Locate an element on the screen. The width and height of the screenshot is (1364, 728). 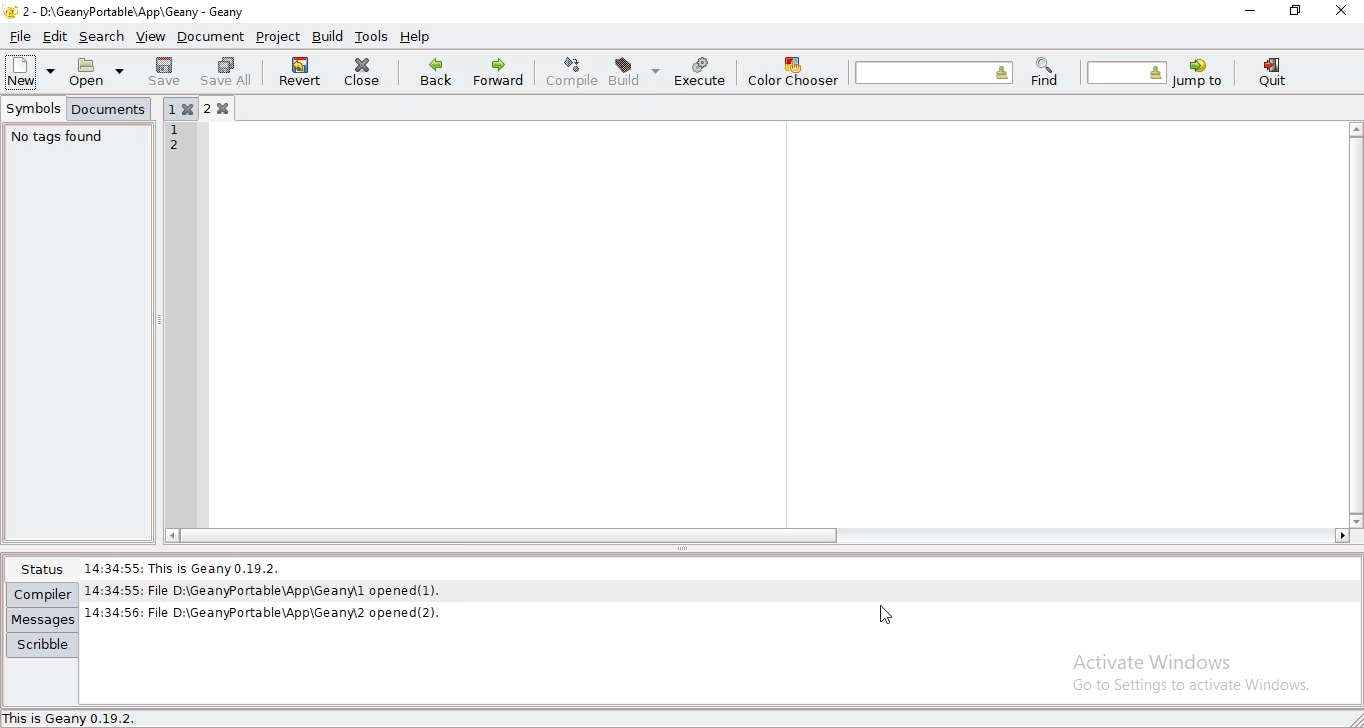
color chooser is located at coordinates (795, 71).